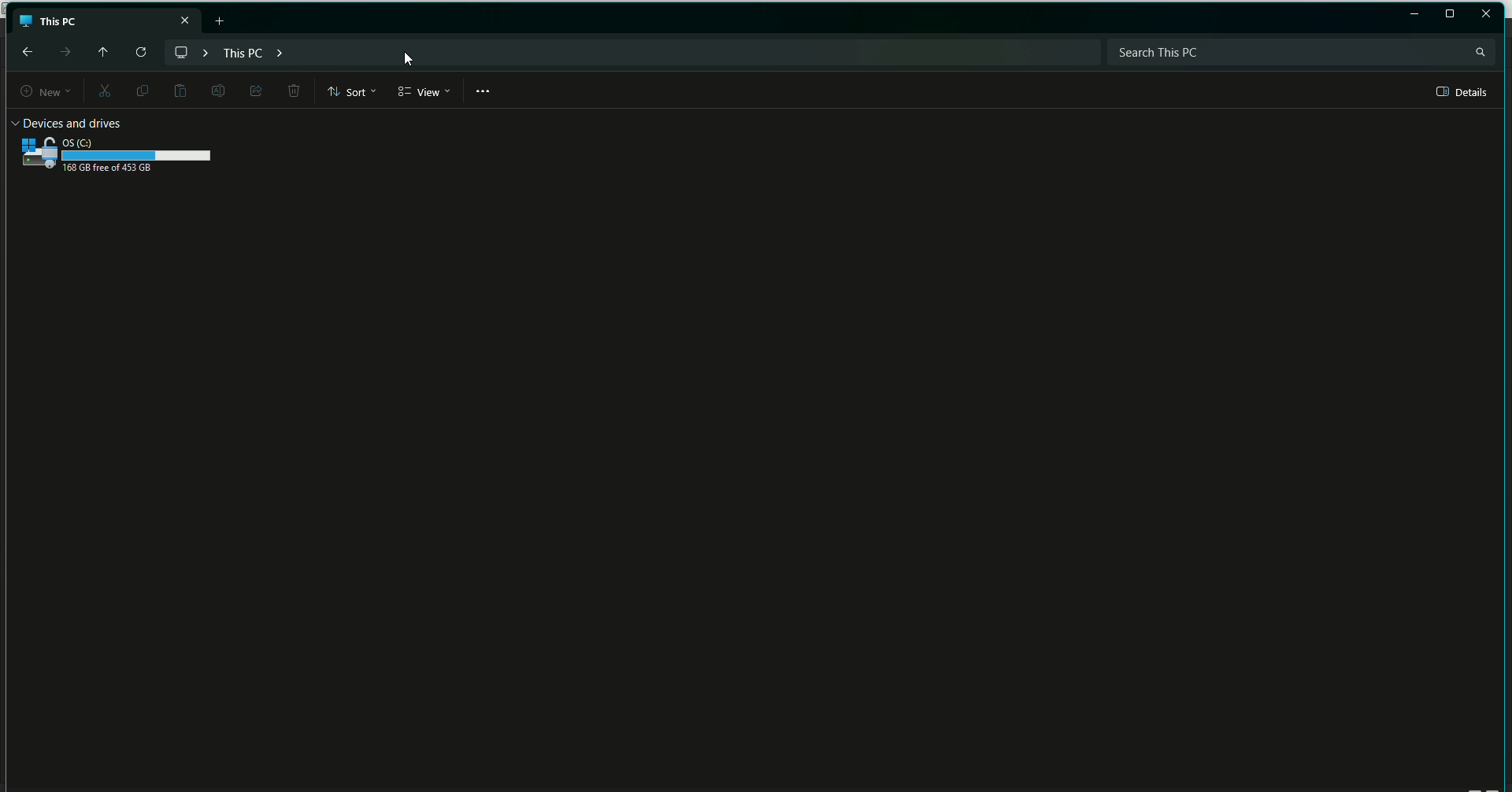  I want to click on Forward, so click(64, 52).